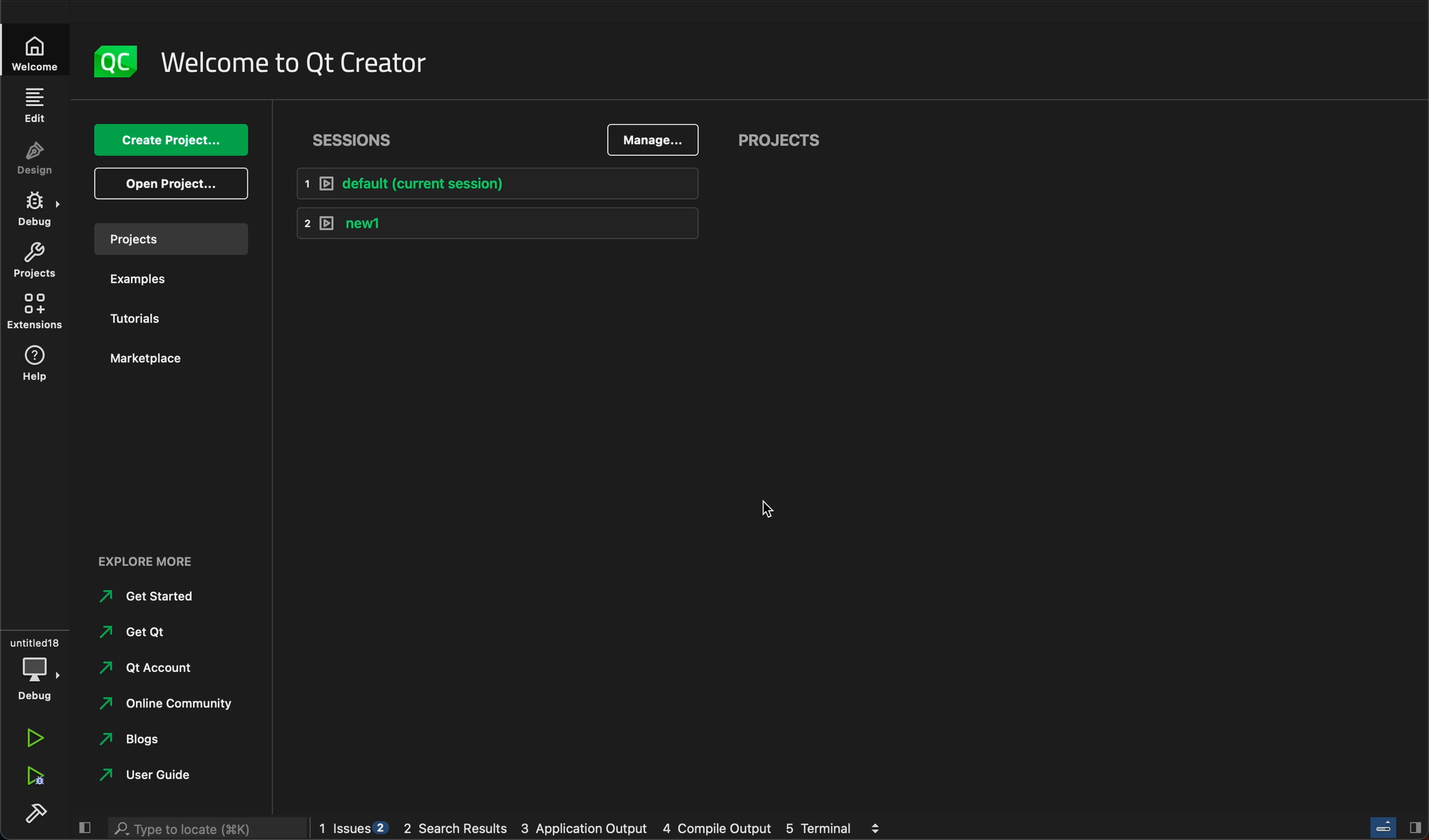  Describe the element at coordinates (765, 505) in the screenshot. I see `cursor` at that location.